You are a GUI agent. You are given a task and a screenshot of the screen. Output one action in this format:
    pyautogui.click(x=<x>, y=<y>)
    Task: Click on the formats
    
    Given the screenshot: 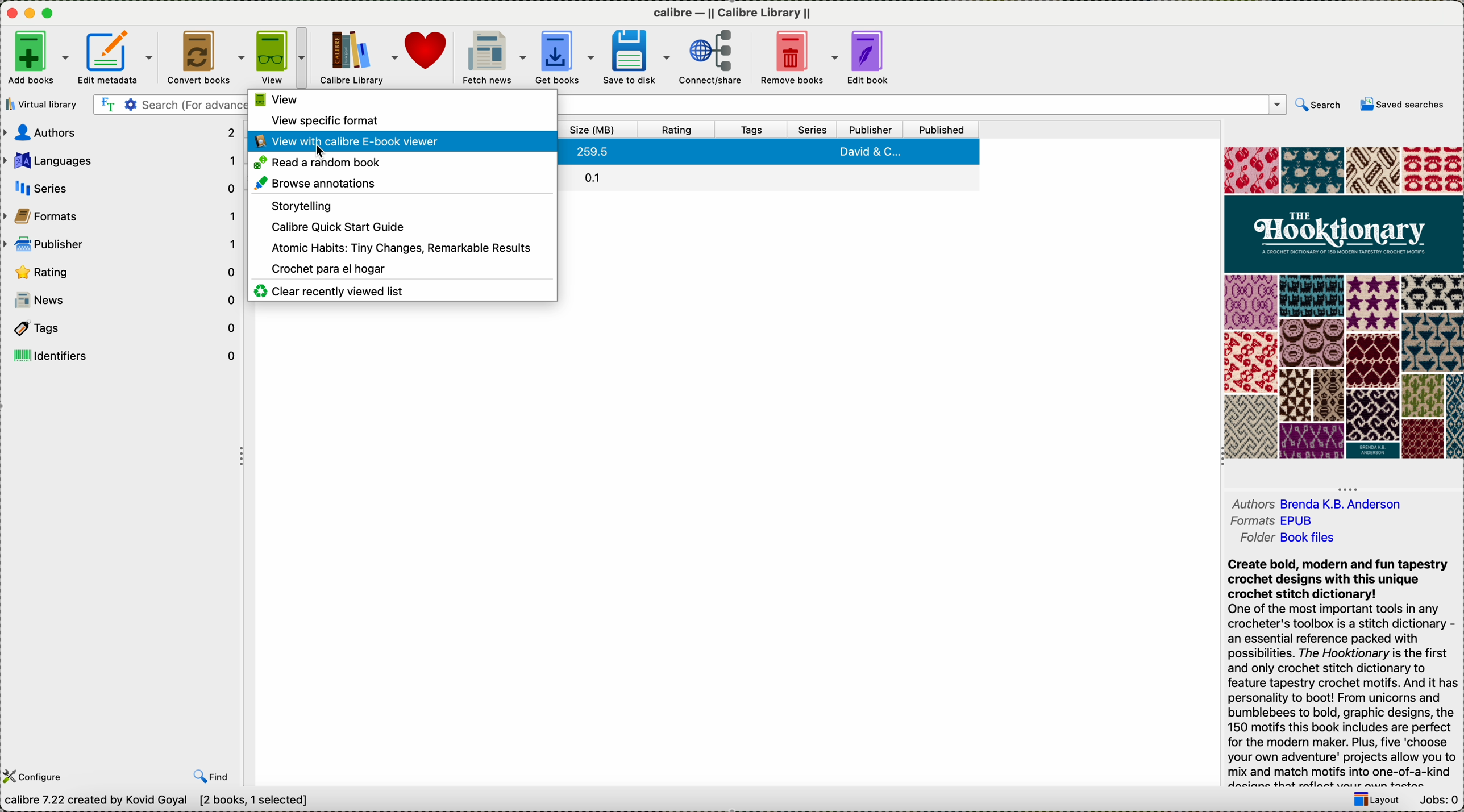 What is the action you would take?
    pyautogui.click(x=122, y=215)
    